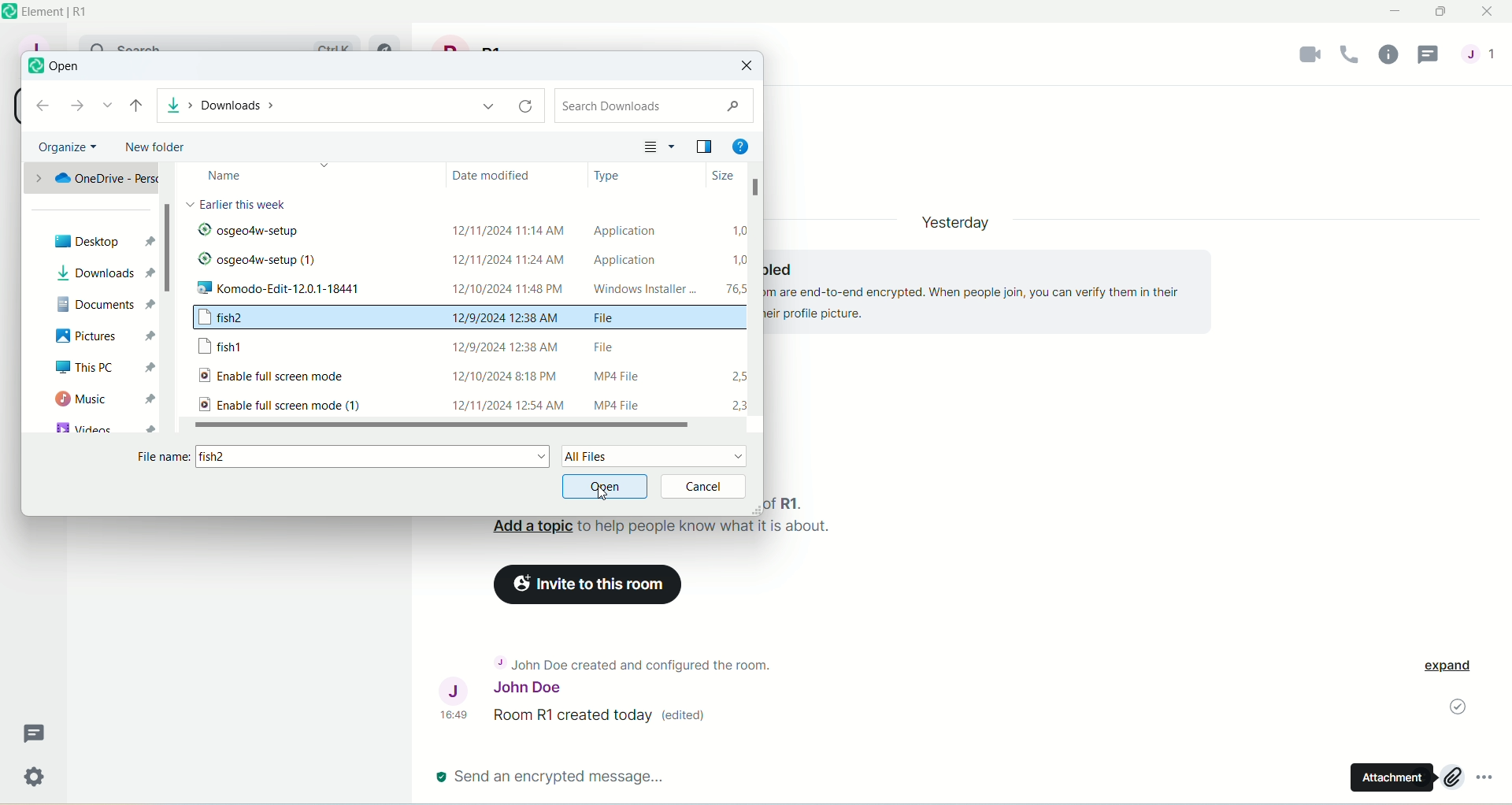 The height and width of the screenshot is (805, 1512). I want to click on organize, so click(68, 147).